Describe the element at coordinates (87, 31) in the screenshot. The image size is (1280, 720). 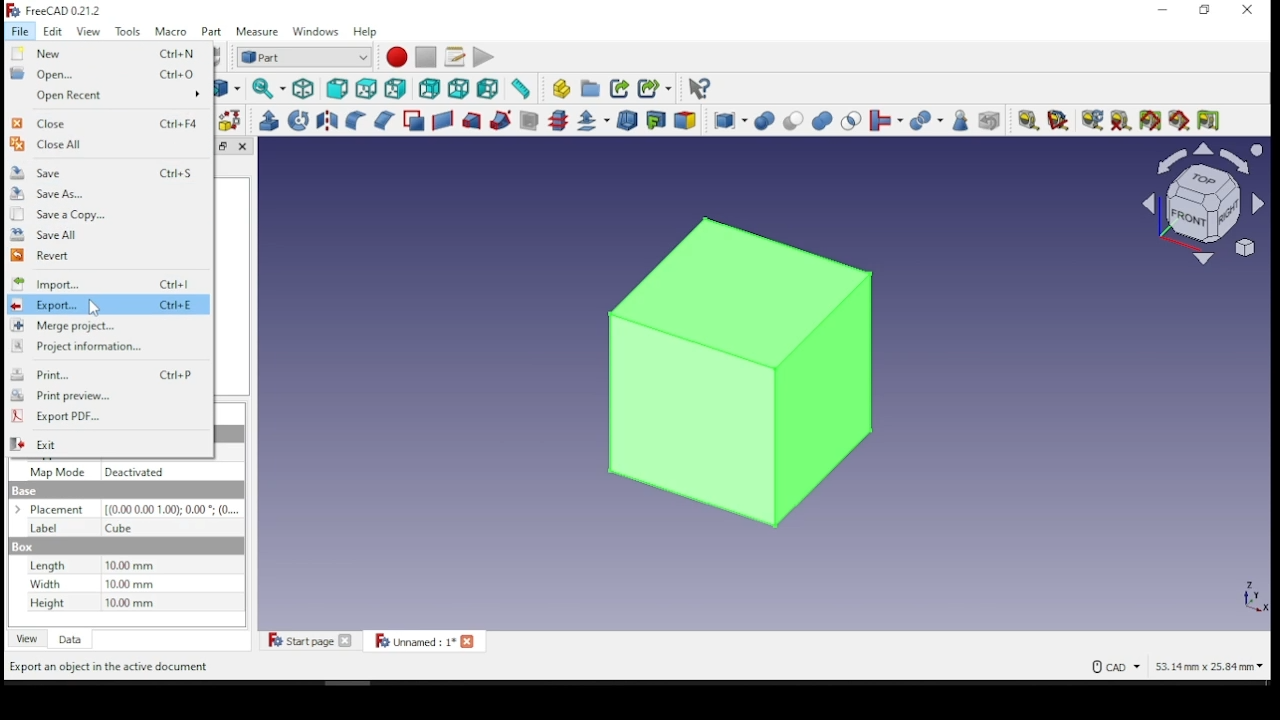
I see `View` at that location.